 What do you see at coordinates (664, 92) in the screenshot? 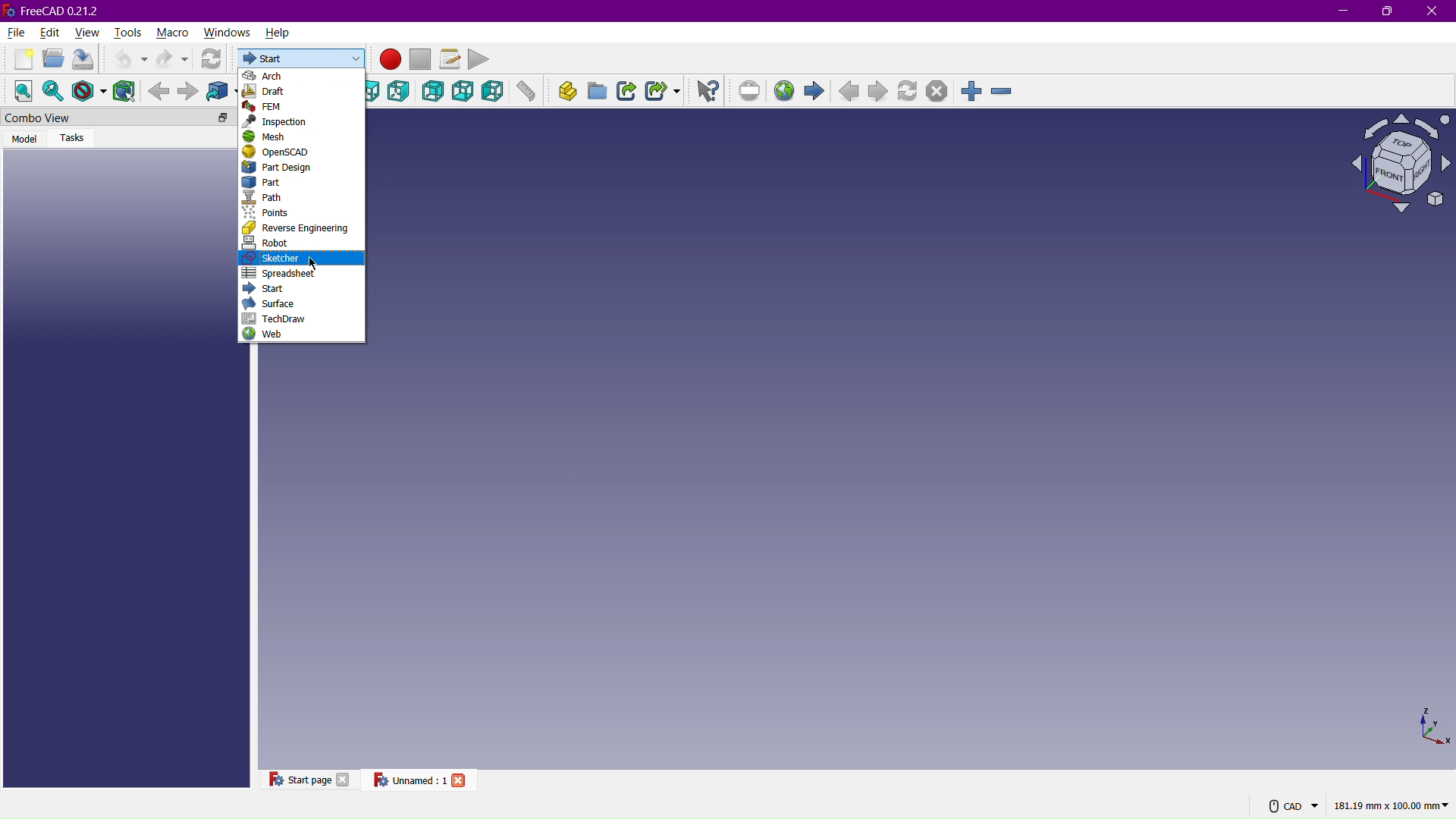
I see `Make a sub-link` at bounding box center [664, 92].